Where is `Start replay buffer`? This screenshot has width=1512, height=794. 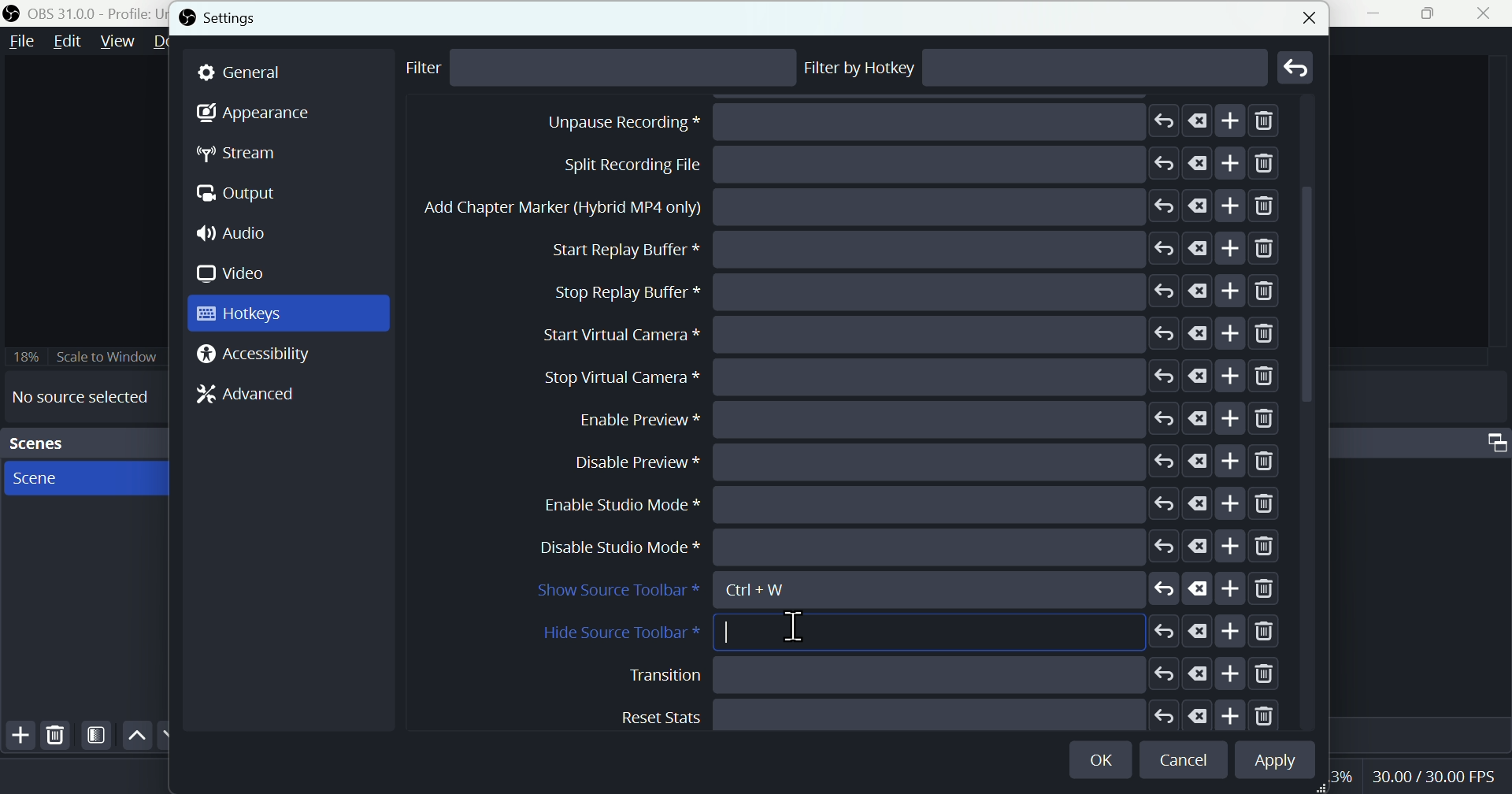
Start replay buffer is located at coordinates (915, 417).